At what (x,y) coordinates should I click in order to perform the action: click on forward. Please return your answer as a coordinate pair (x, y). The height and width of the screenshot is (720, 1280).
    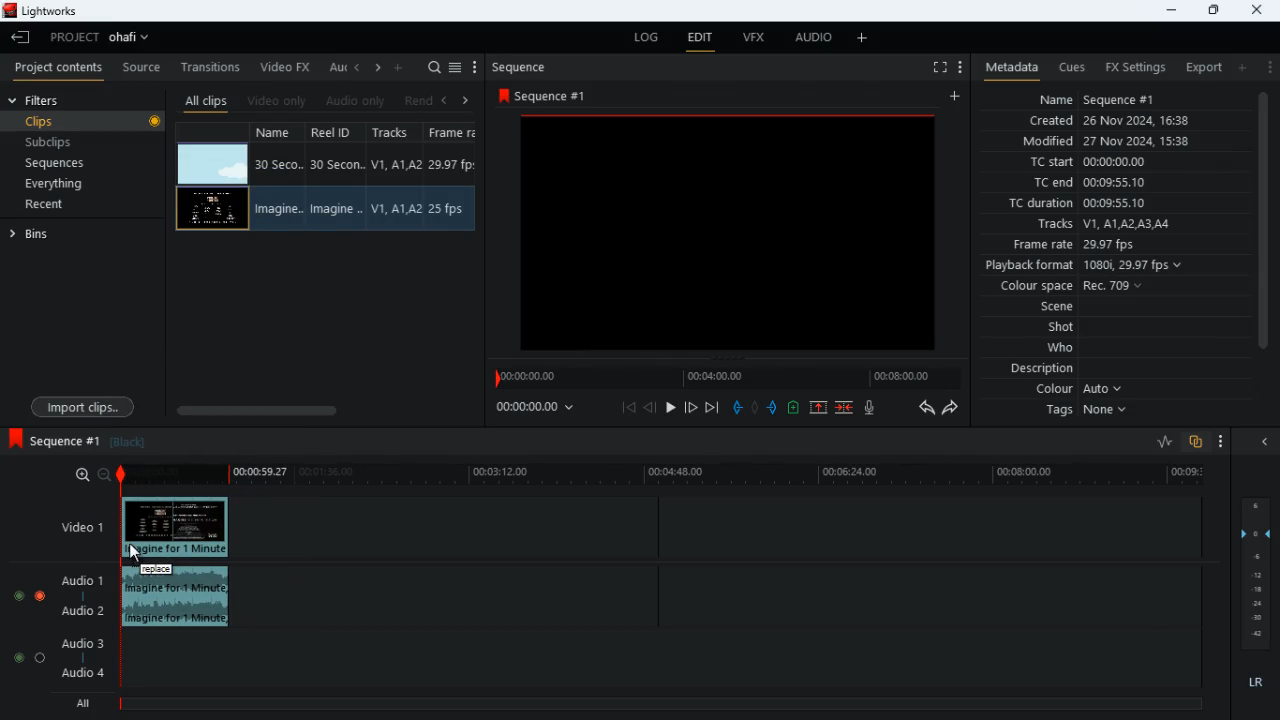
    Looking at the image, I should click on (689, 407).